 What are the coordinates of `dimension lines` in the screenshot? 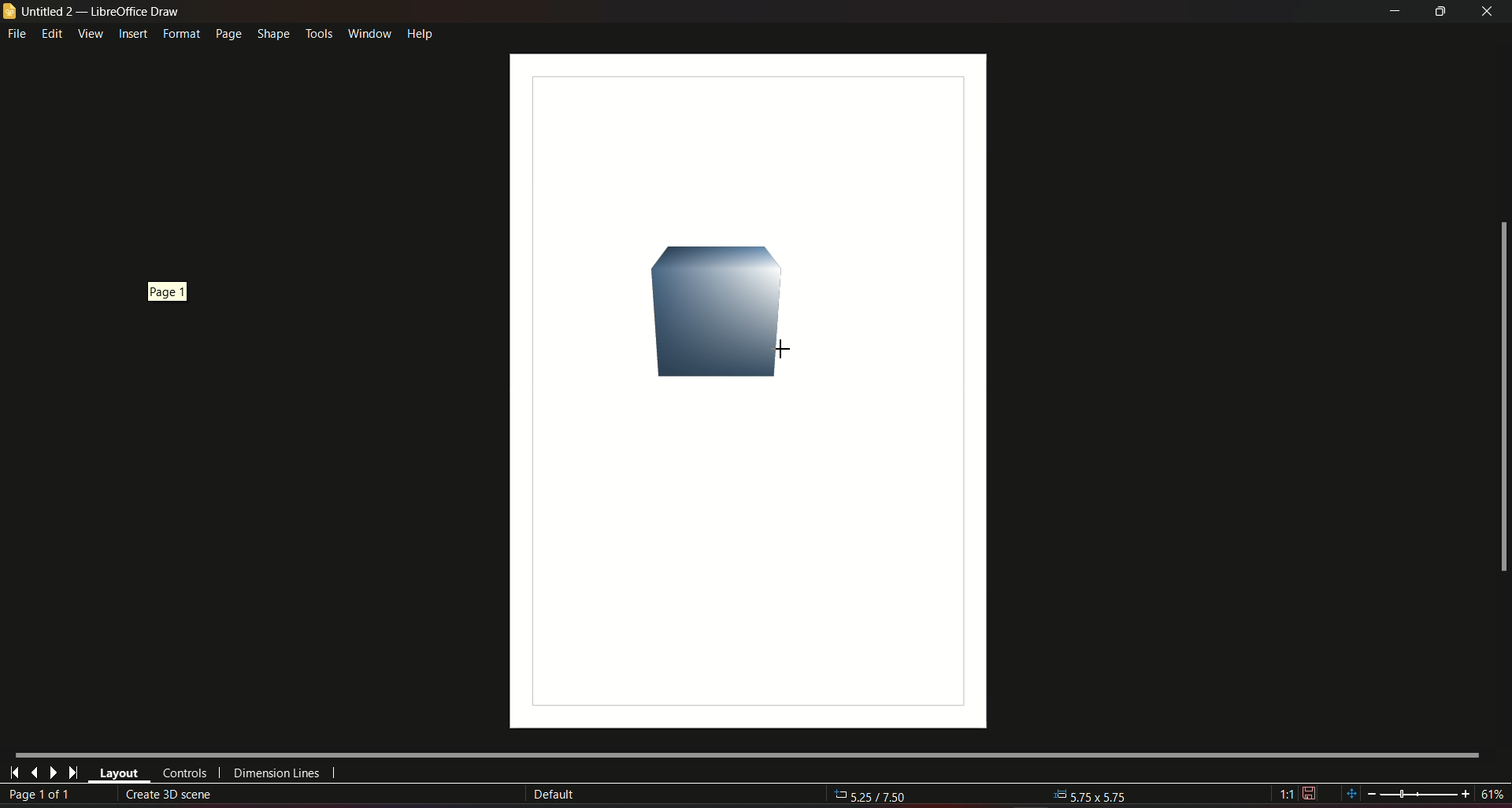 It's located at (277, 776).